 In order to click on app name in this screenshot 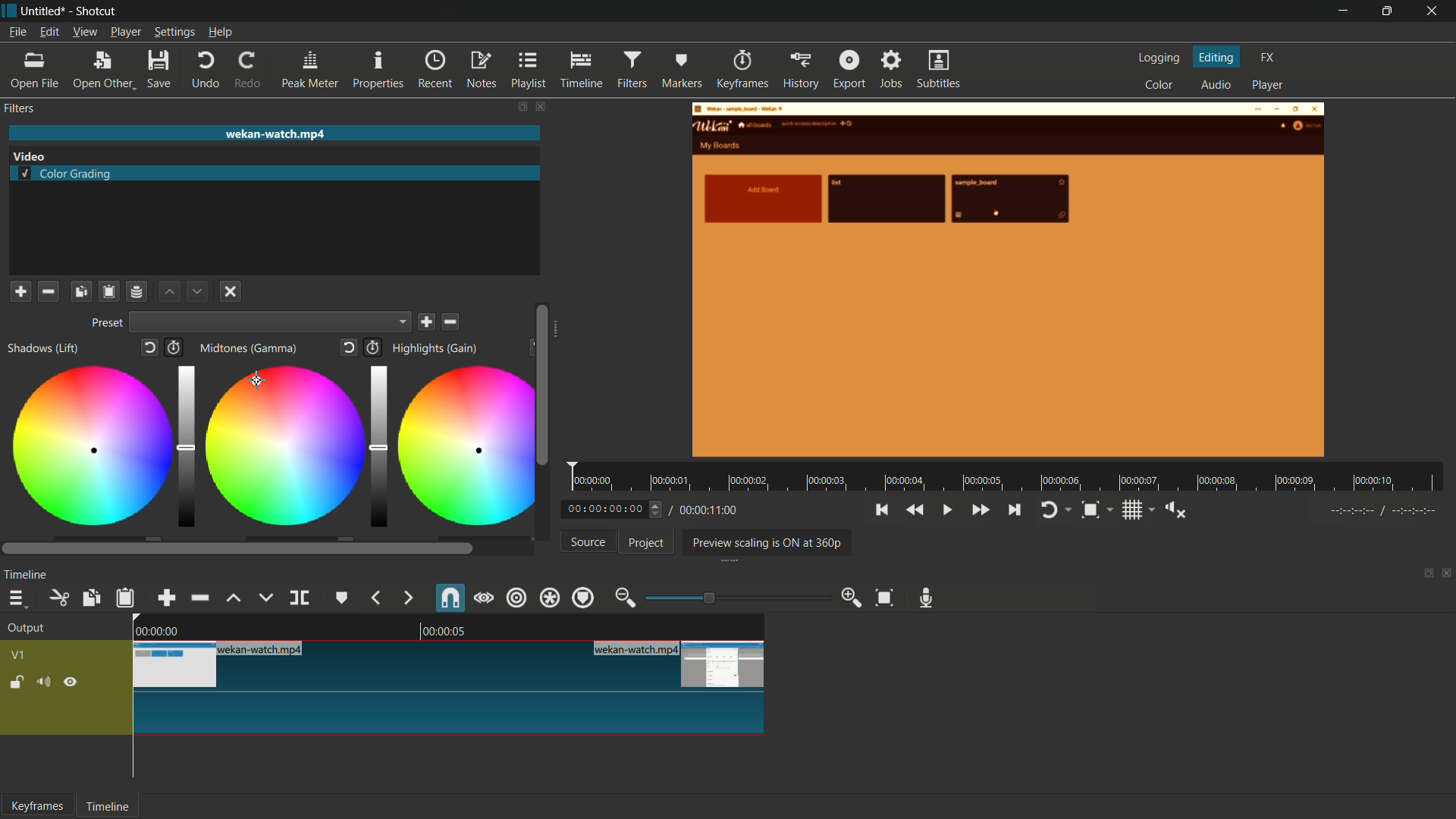, I will do `click(98, 12)`.